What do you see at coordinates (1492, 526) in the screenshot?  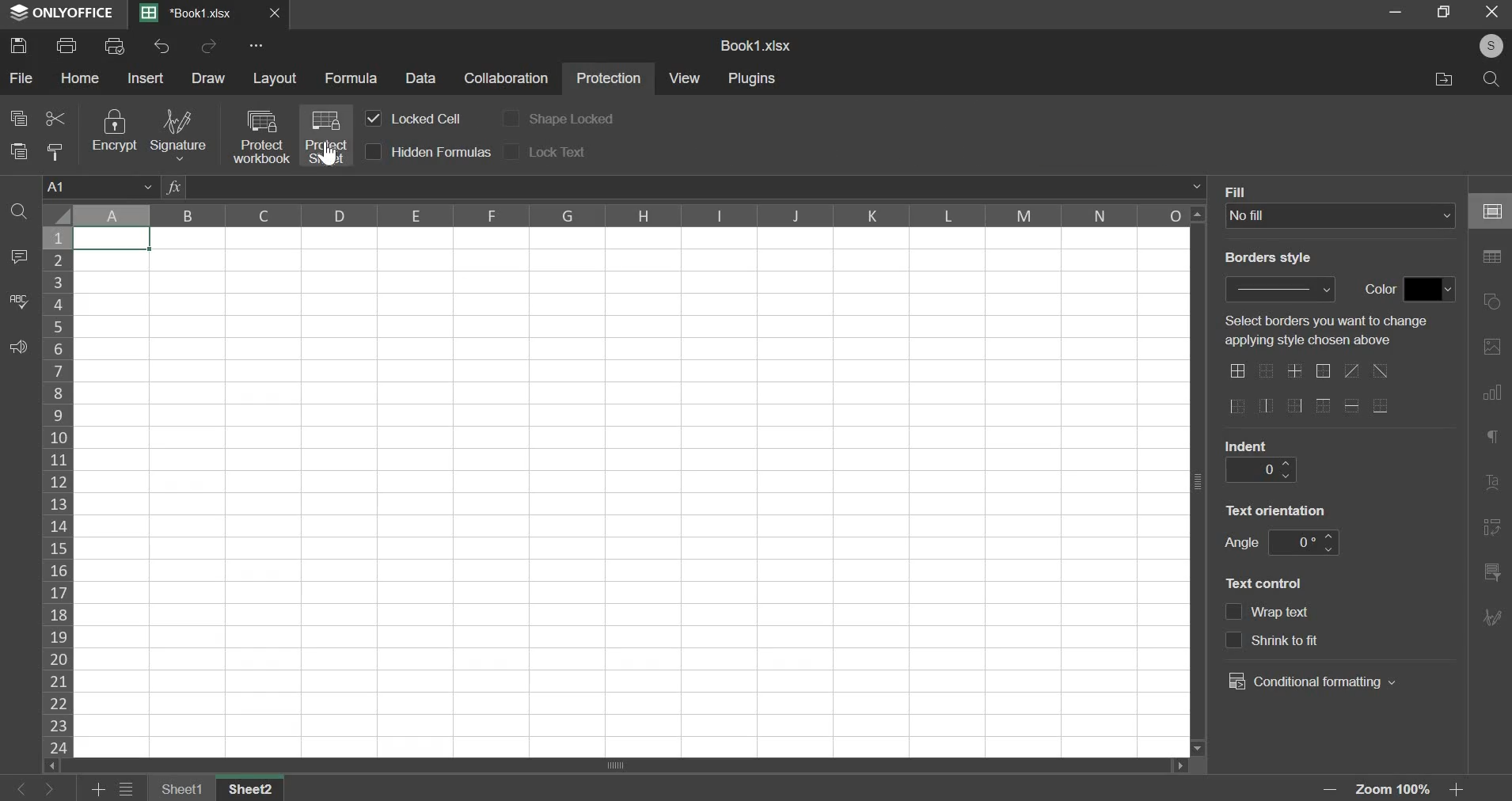 I see `right side bar` at bounding box center [1492, 526].